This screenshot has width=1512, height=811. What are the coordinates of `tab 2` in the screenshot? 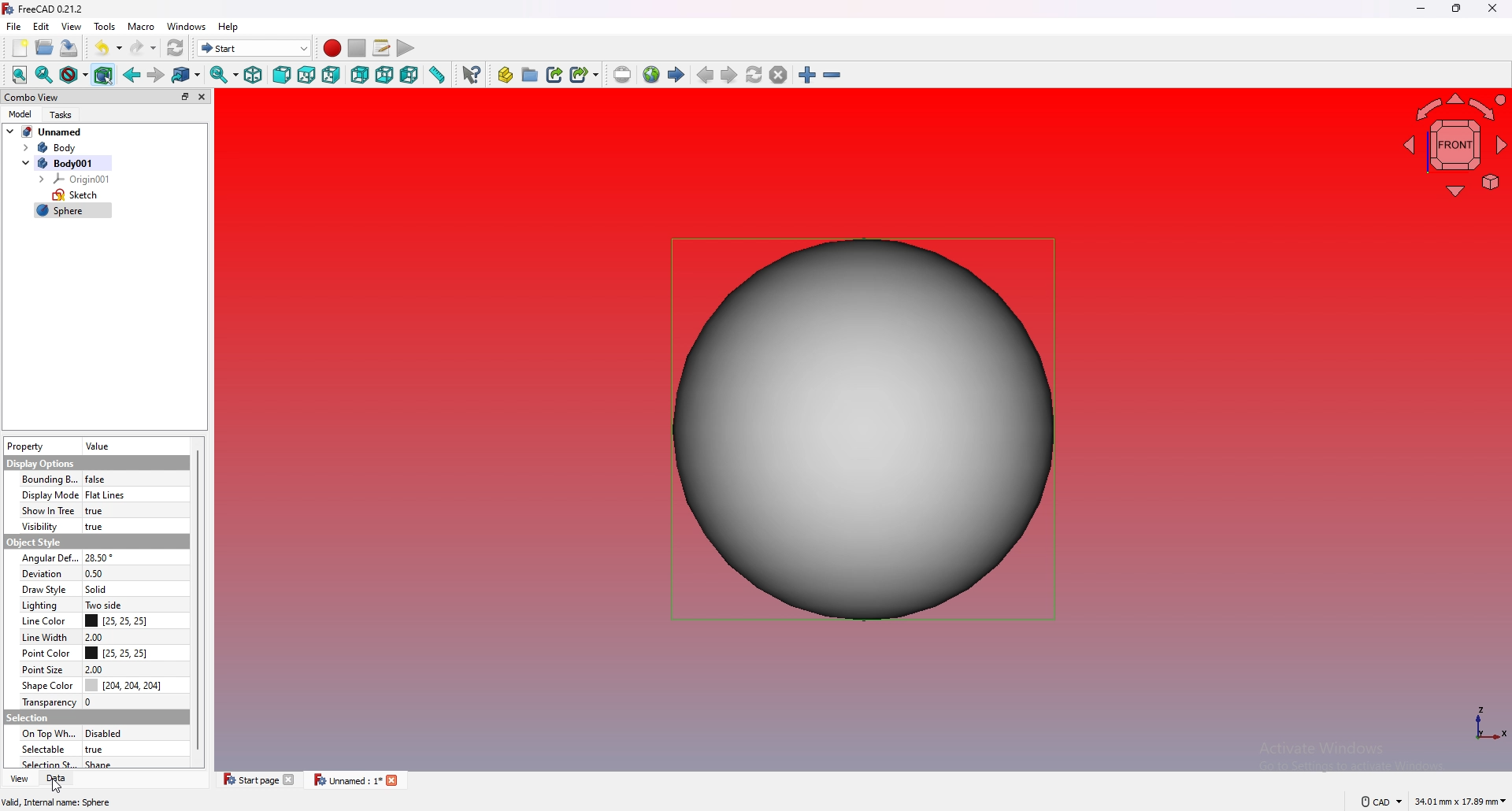 It's located at (358, 780).